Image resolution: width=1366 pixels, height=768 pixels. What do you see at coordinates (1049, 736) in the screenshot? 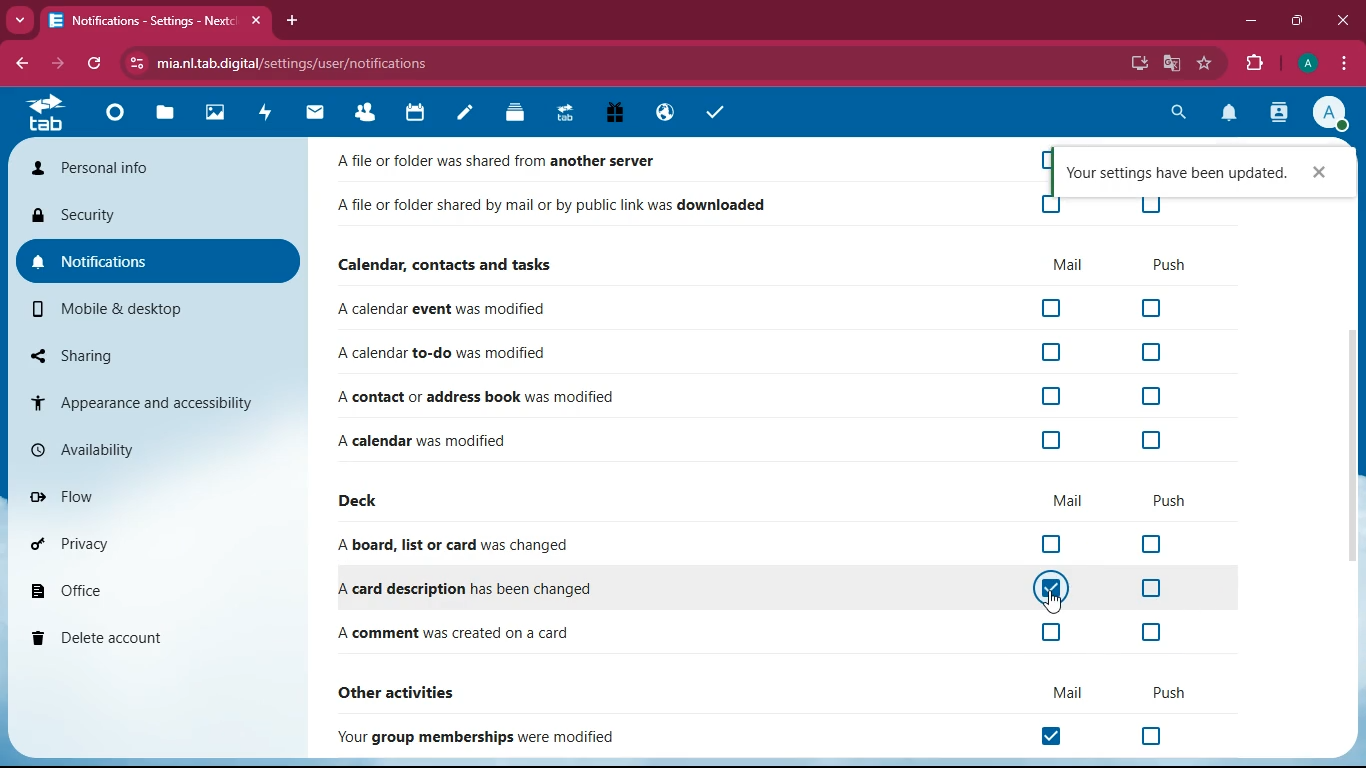
I see `off` at bounding box center [1049, 736].